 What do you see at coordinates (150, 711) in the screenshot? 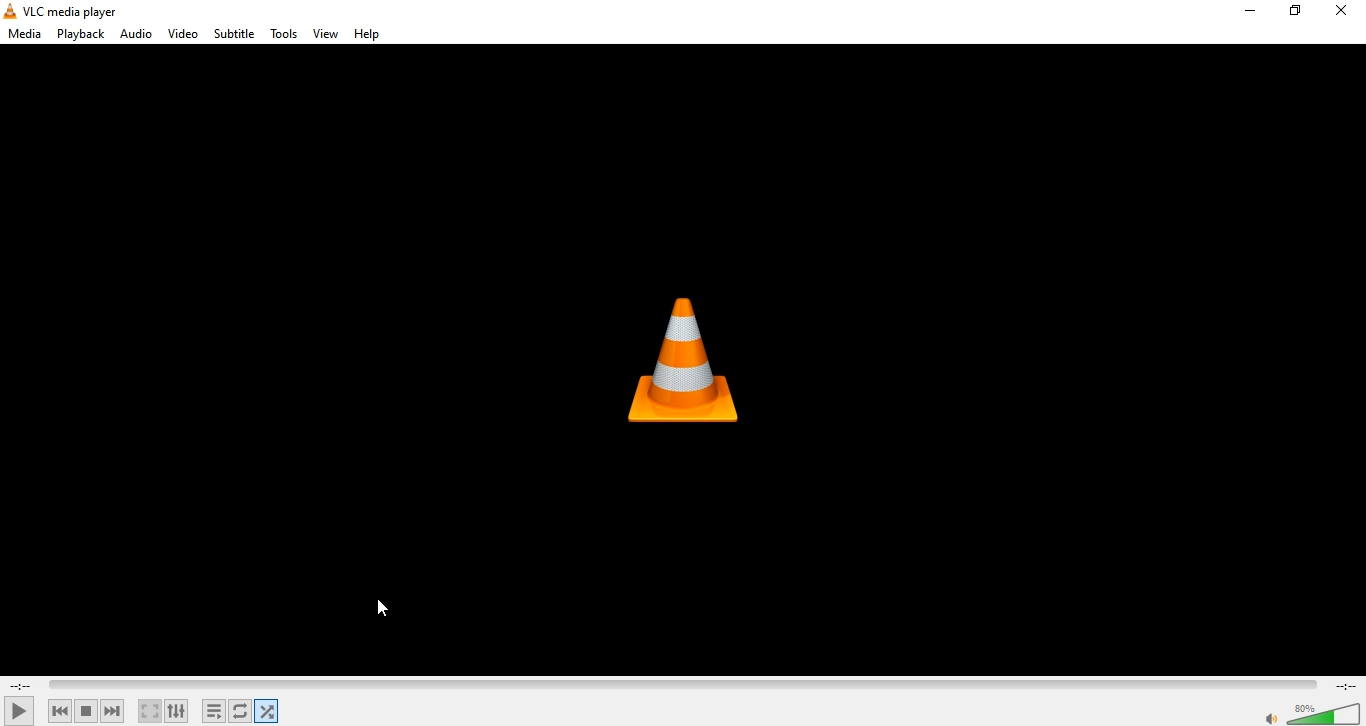
I see `toggle the video in full screen` at bounding box center [150, 711].